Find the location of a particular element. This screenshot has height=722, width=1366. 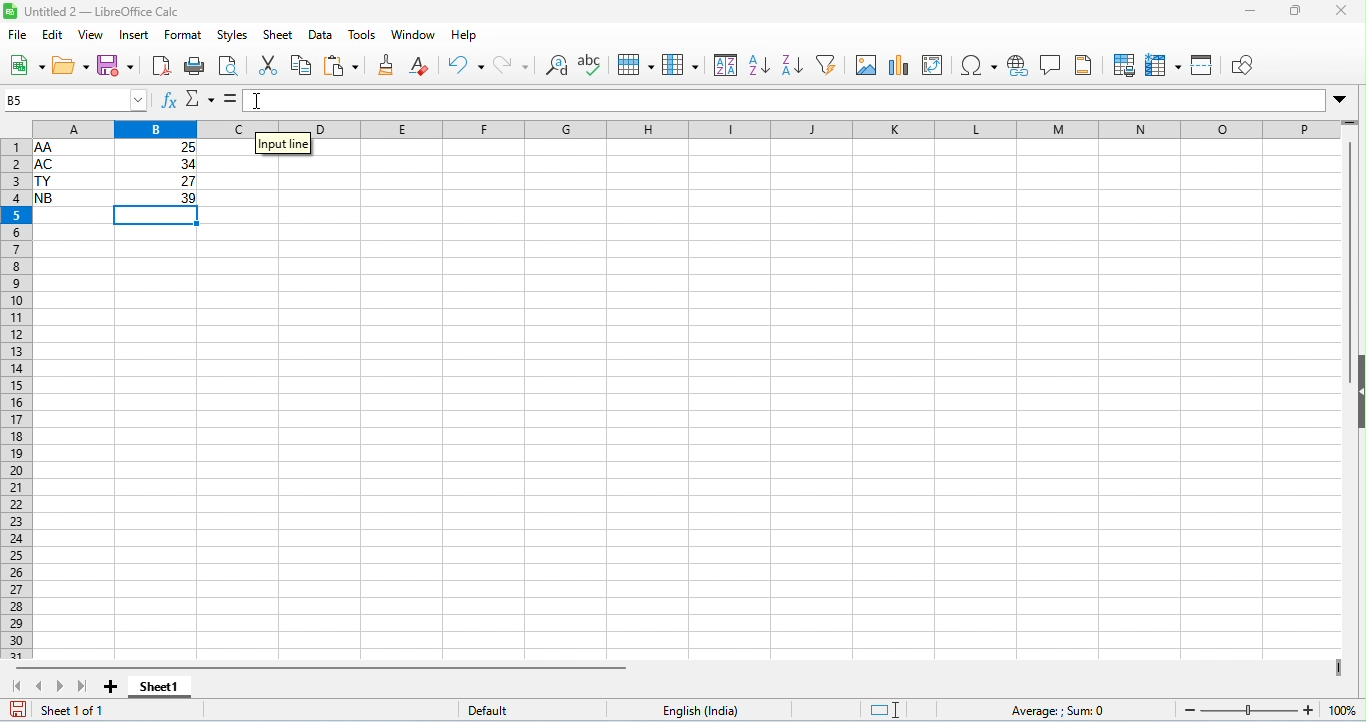

export pdf is located at coordinates (161, 66).